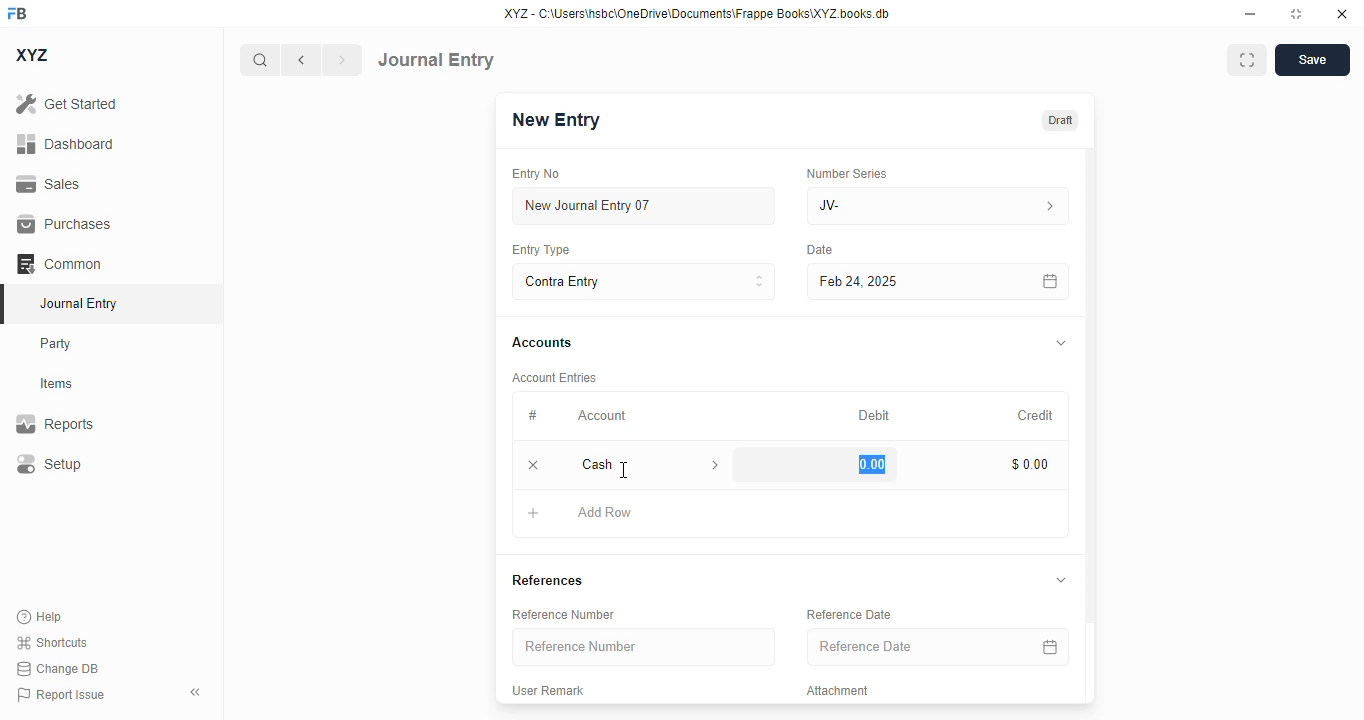 This screenshot has width=1364, height=720. What do you see at coordinates (550, 689) in the screenshot?
I see `user remark` at bounding box center [550, 689].